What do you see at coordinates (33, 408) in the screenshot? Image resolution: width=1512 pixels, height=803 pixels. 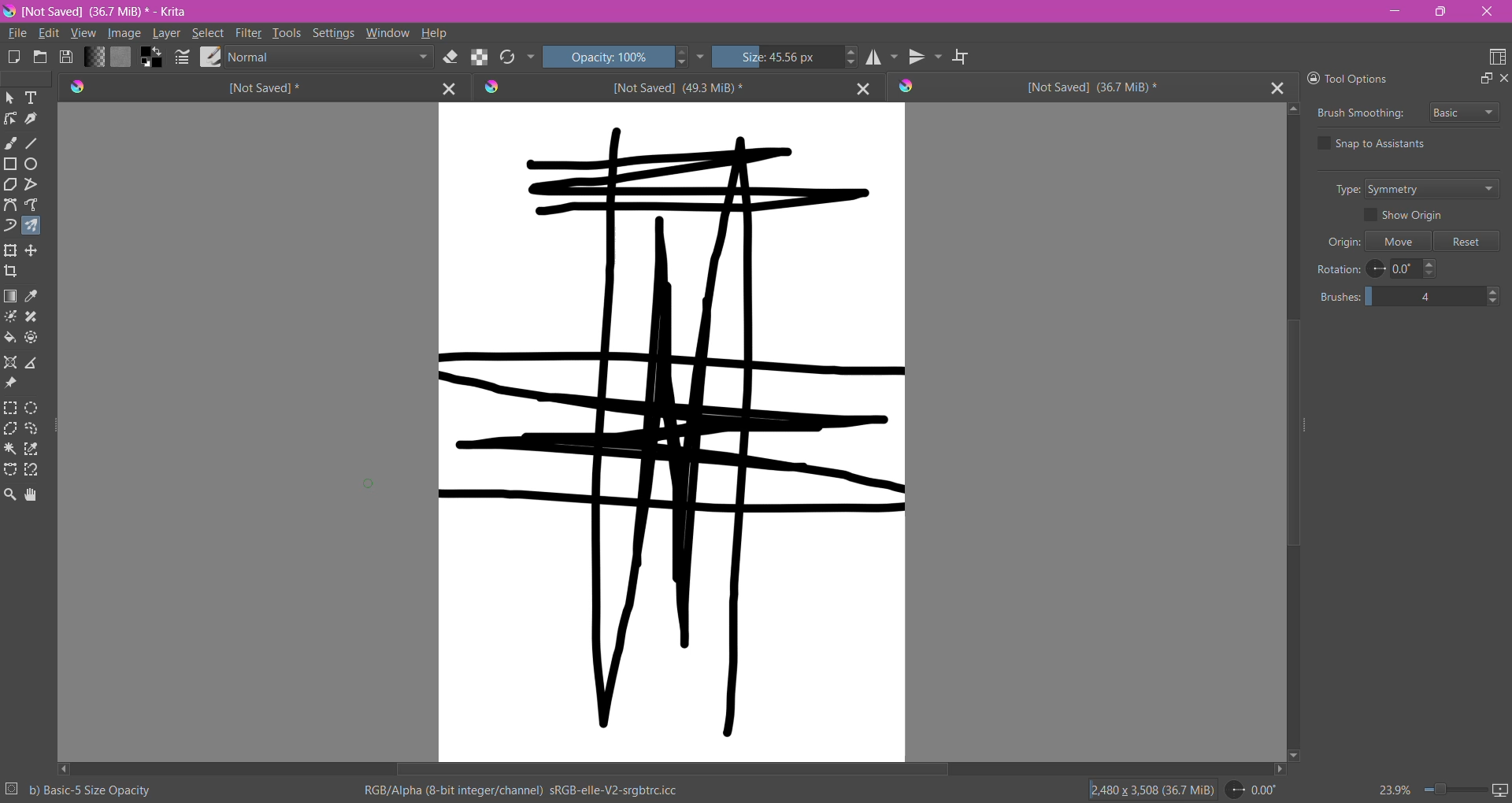 I see `Elliptical Selection Tool` at bounding box center [33, 408].